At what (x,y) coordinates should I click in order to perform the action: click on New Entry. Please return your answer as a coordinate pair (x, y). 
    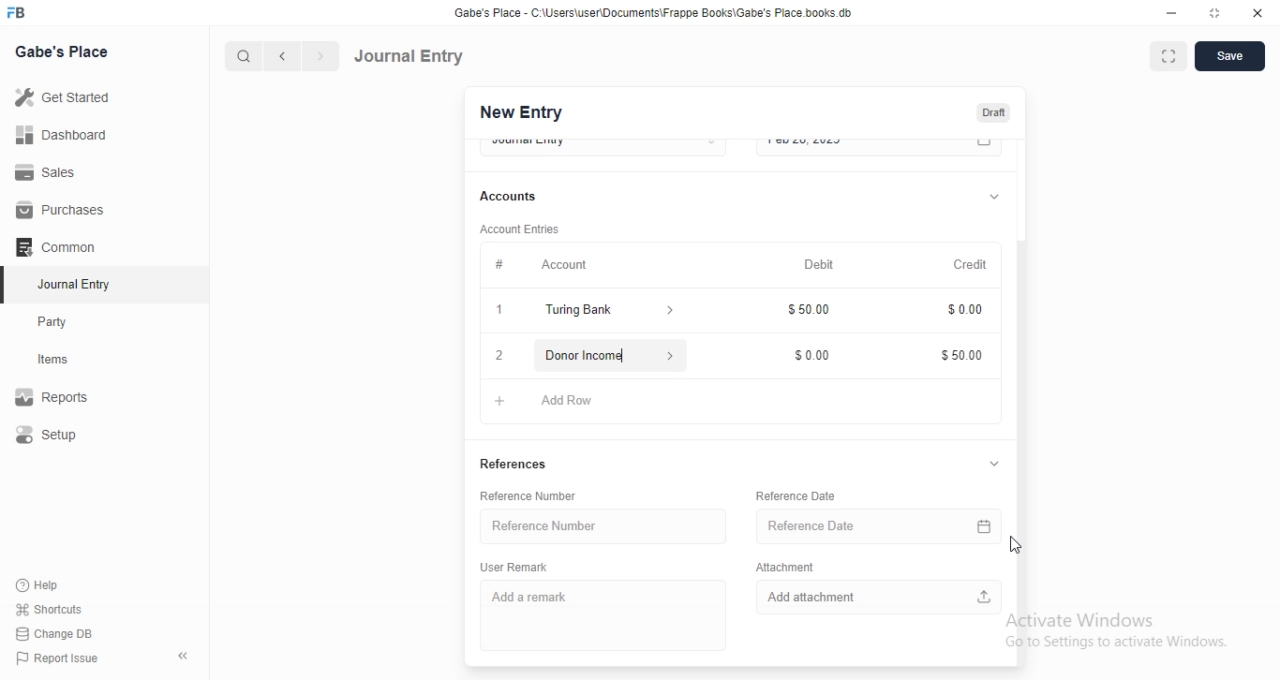
    Looking at the image, I should click on (519, 113).